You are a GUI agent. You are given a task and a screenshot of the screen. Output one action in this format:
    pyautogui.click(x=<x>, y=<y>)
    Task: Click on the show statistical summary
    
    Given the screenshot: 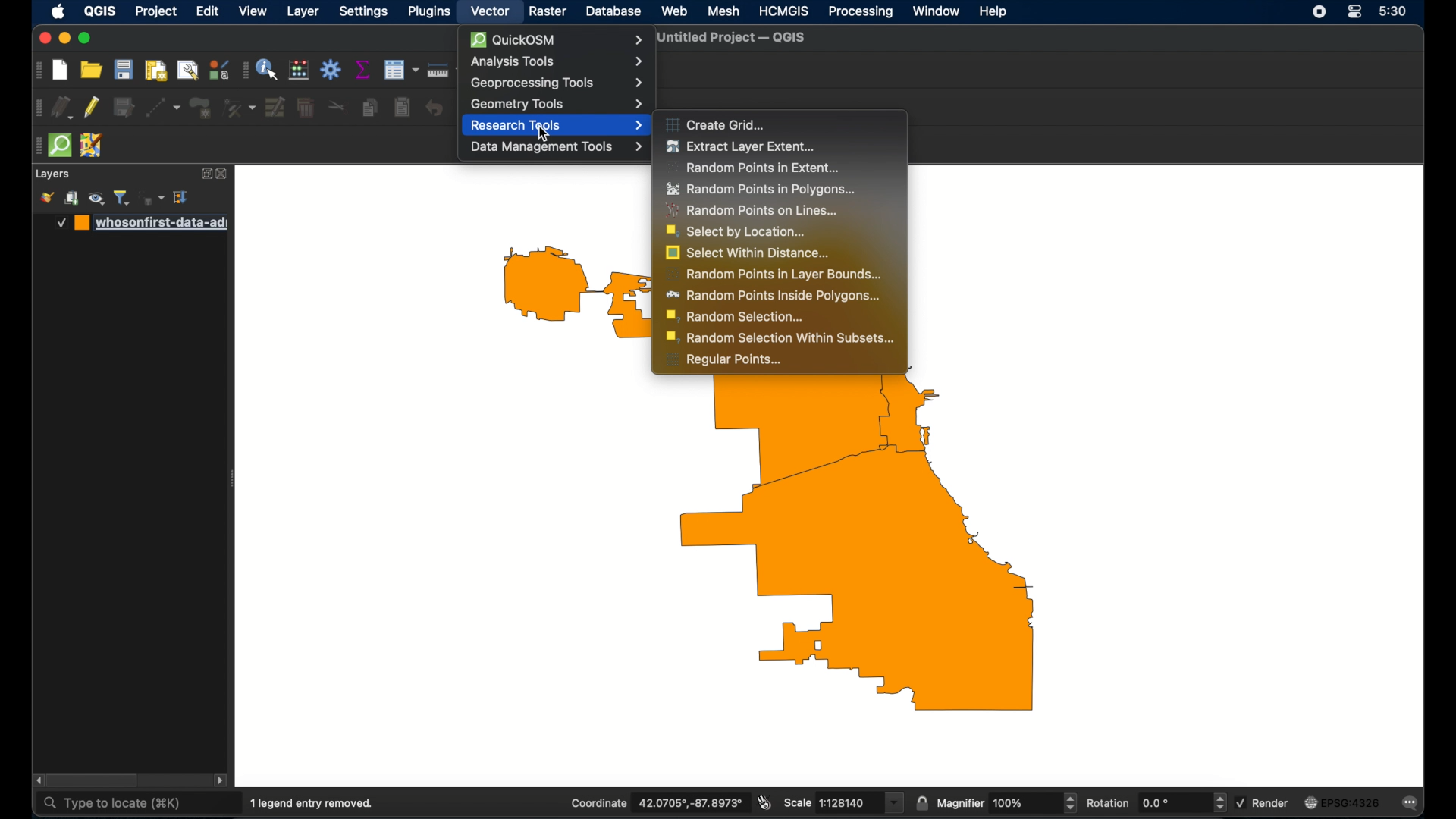 What is the action you would take?
    pyautogui.click(x=362, y=69)
    